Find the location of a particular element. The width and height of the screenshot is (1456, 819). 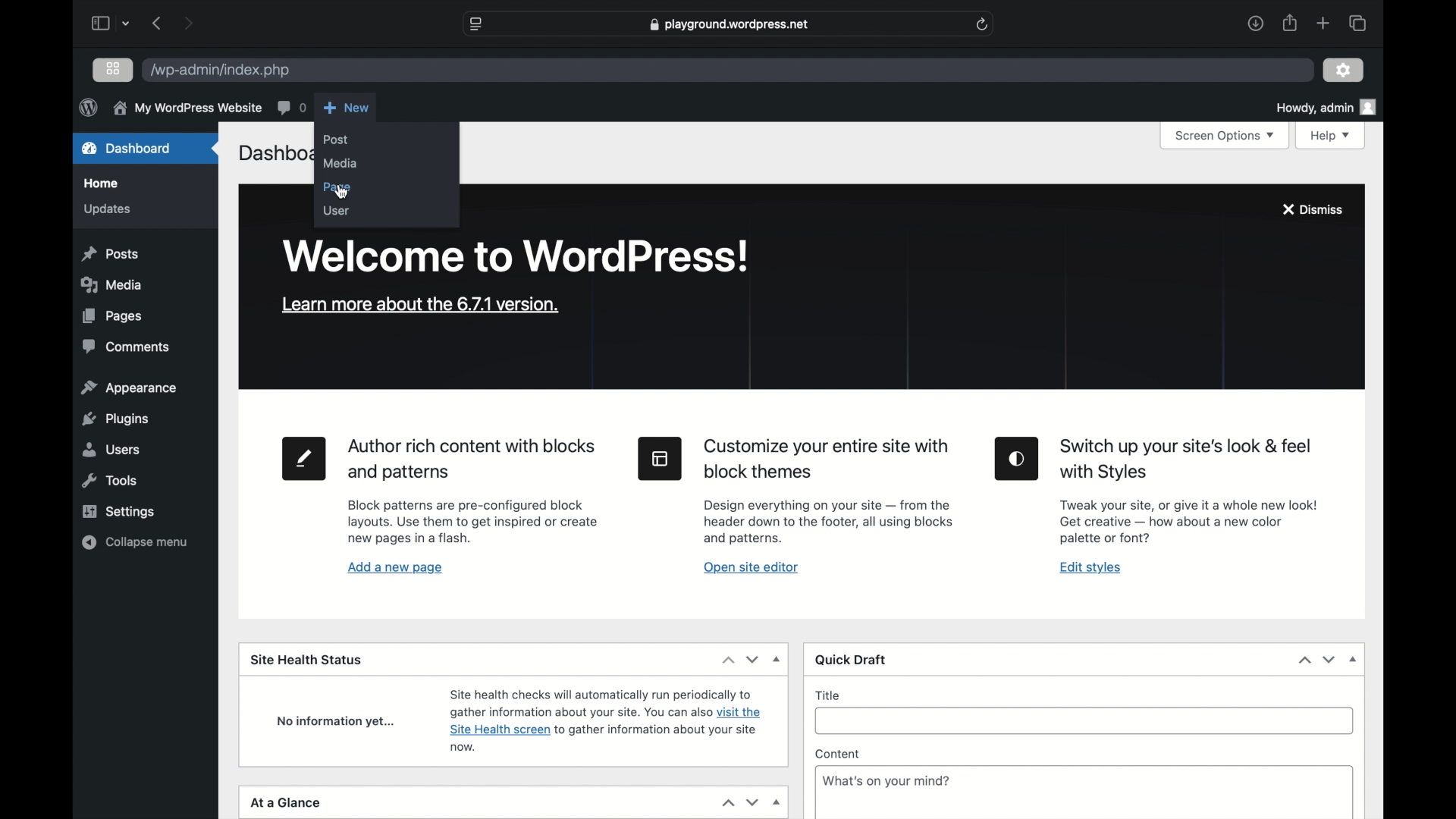

comments is located at coordinates (291, 107).